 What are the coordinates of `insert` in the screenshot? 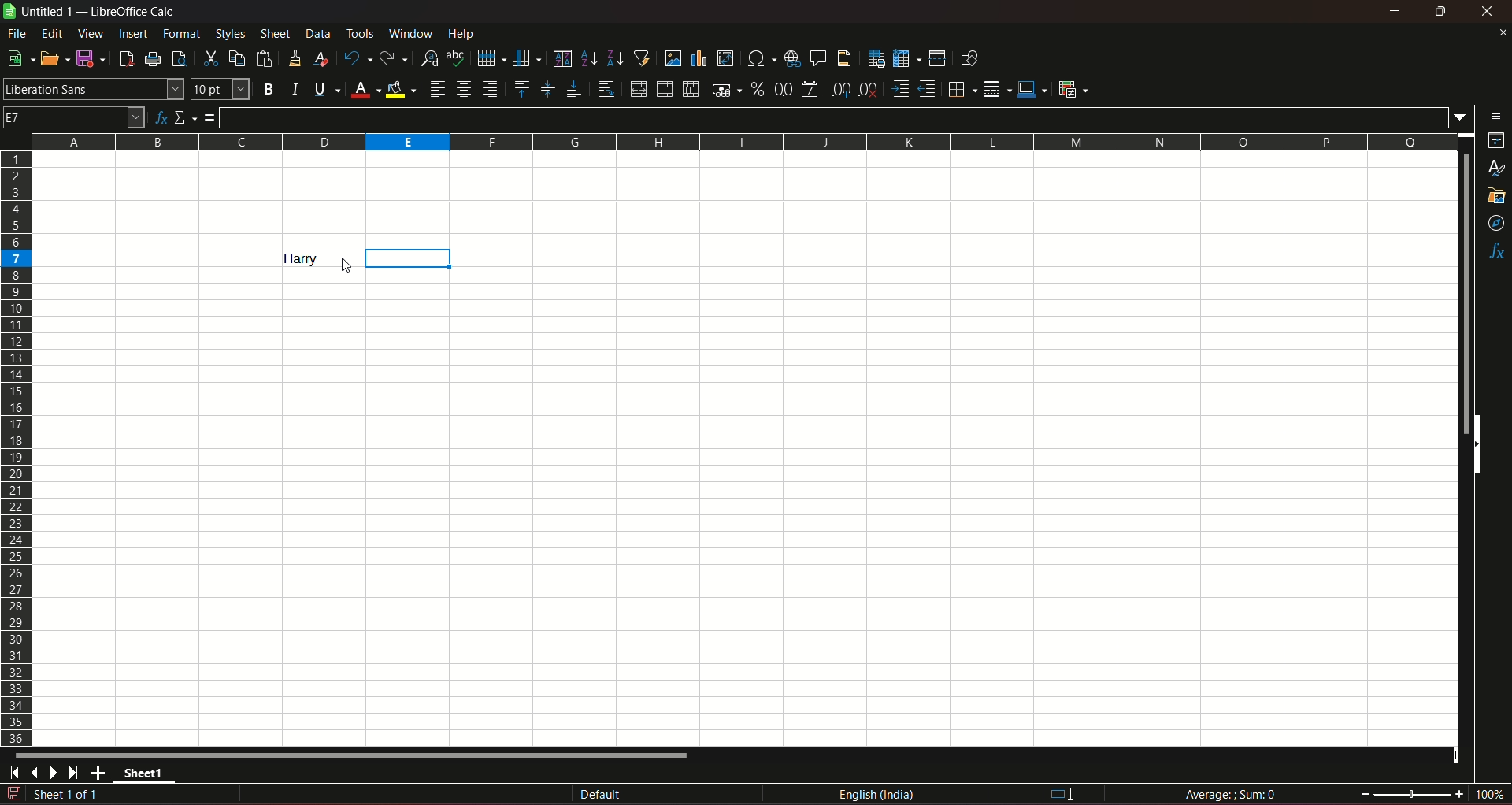 It's located at (132, 32).